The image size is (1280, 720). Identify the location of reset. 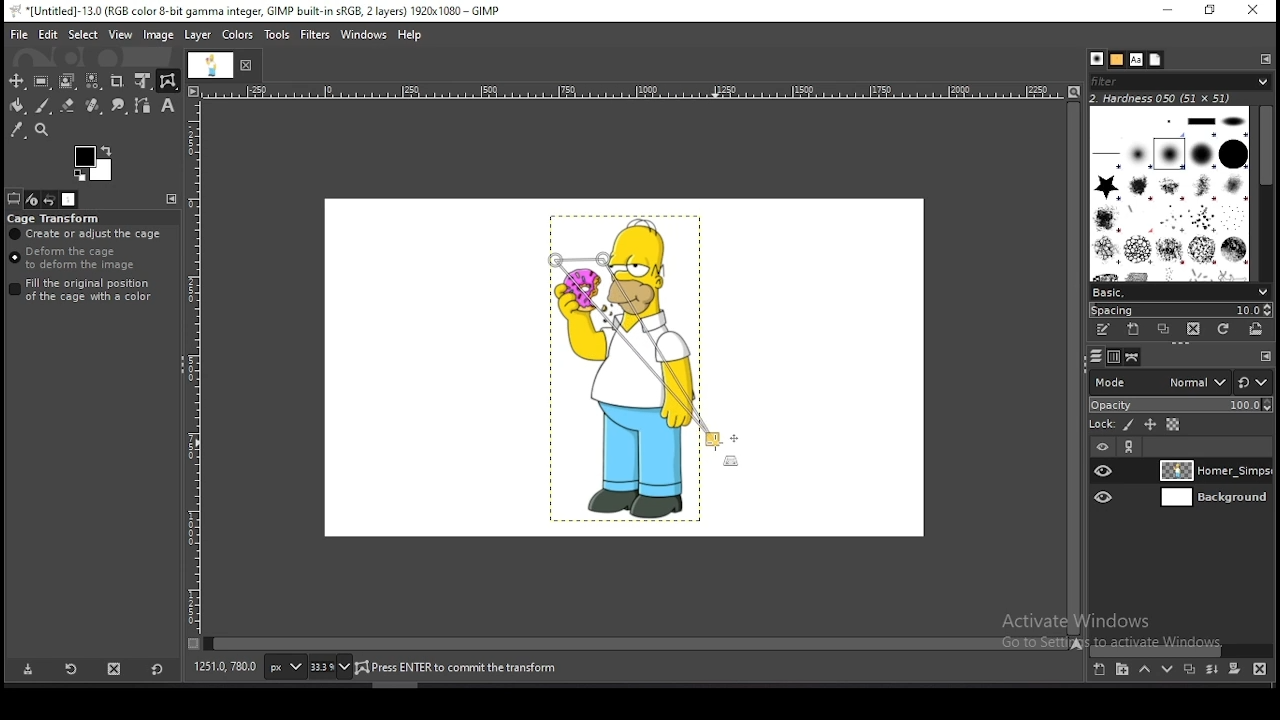
(156, 671).